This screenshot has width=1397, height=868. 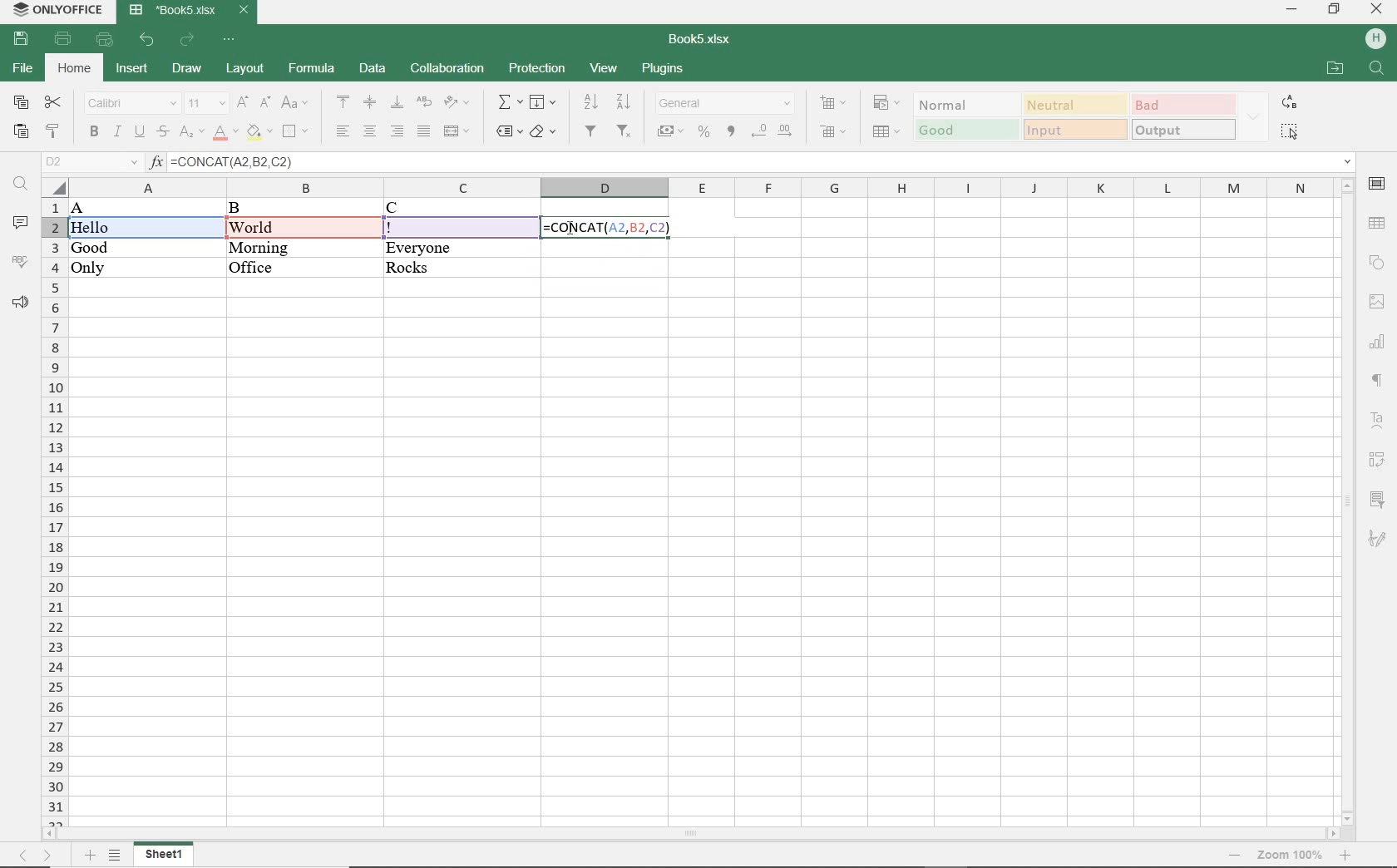 What do you see at coordinates (1335, 11) in the screenshot?
I see `RESTORE DOWN` at bounding box center [1335, 11].